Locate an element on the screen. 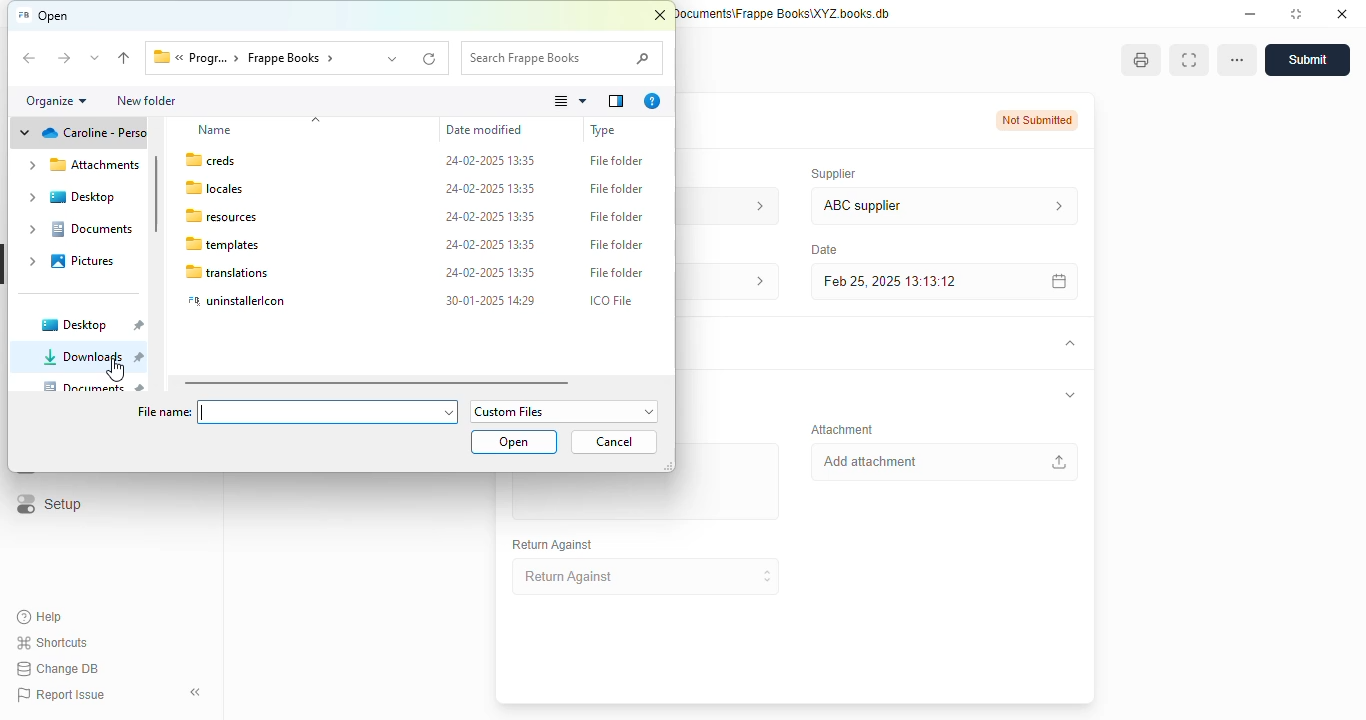 Image resolution: width=1366 pixels, height=720 pixels. add attachment is located at coordinates (943, 462).